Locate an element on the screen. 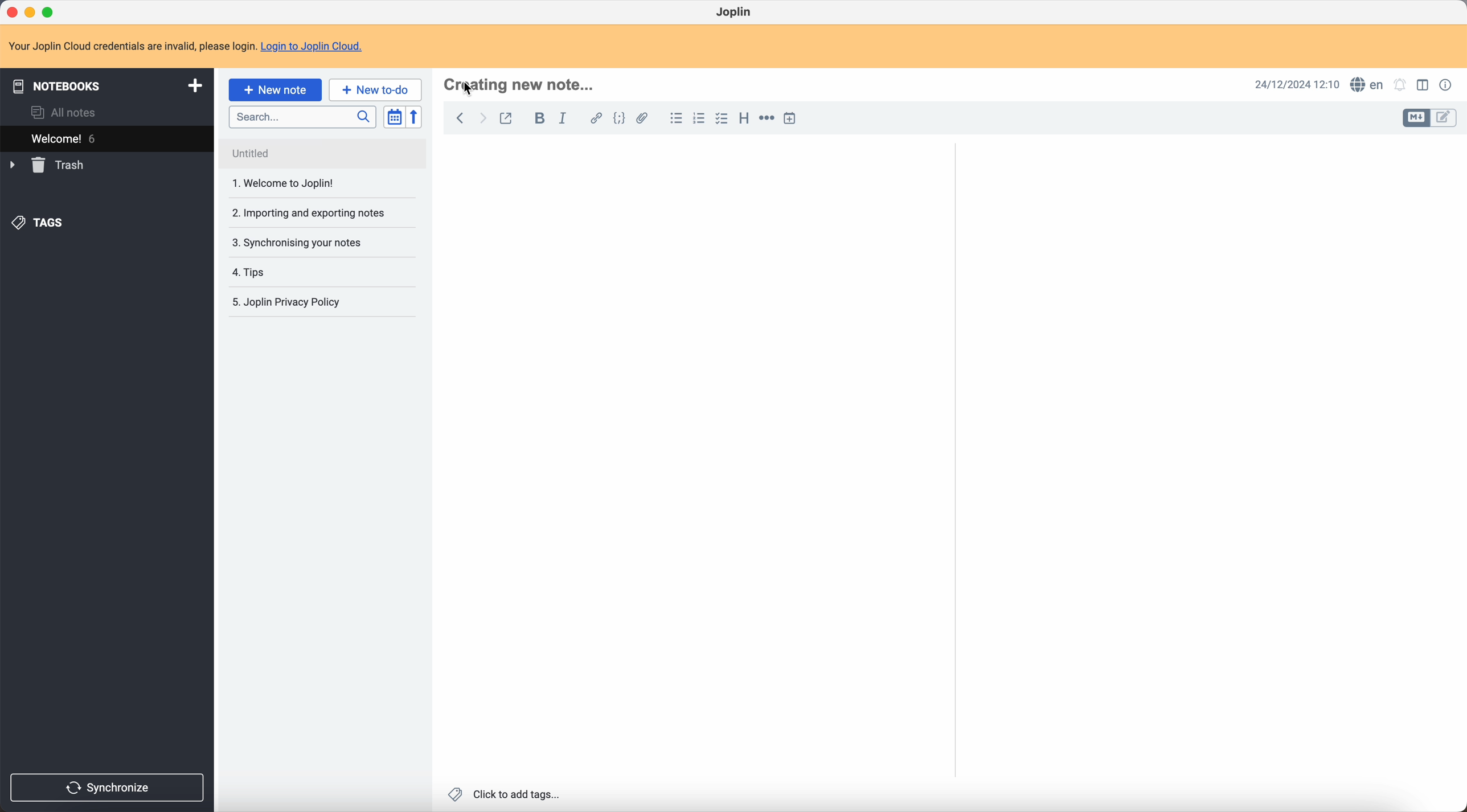  click on new note is located at coordinates (276, 89).